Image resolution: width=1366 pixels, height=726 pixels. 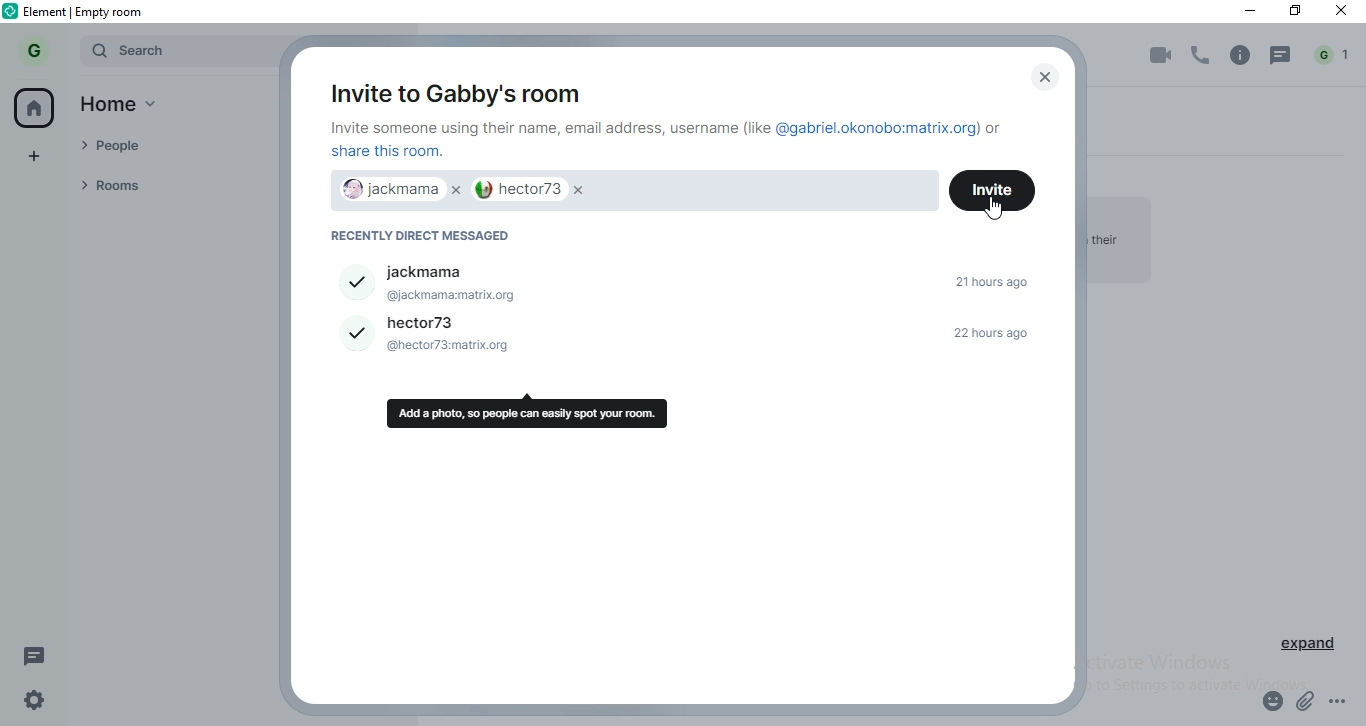 I want to click on invite, so click(x=991, y=178).